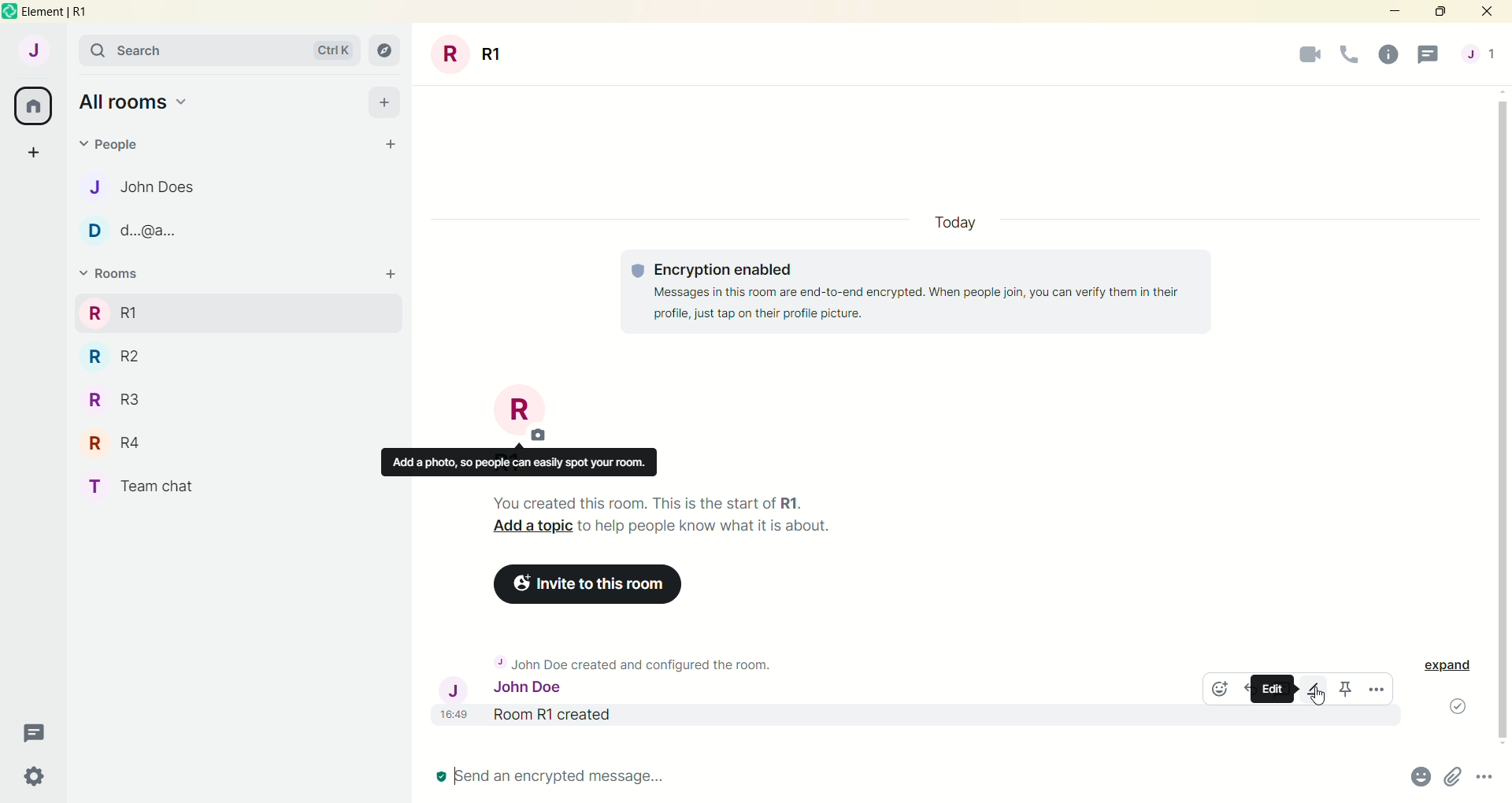 The width and height of the screenshot is (1512, 803). What do you see at coordinates (643, 658) in the screenshot?
I see `John Doe created and configured the room` at bounding box center [643, 658].